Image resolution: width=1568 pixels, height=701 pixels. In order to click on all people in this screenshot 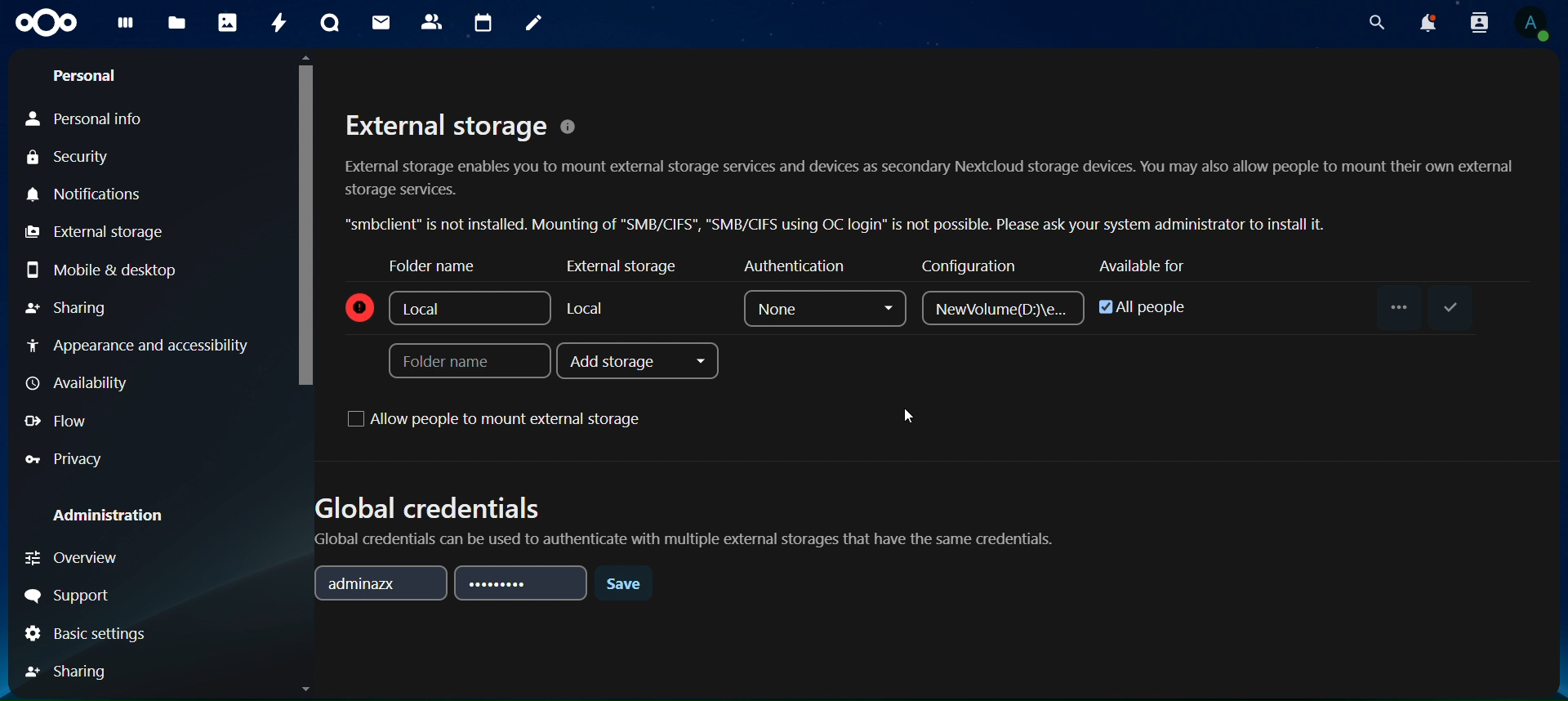, I will do `click(1143, 305)`.